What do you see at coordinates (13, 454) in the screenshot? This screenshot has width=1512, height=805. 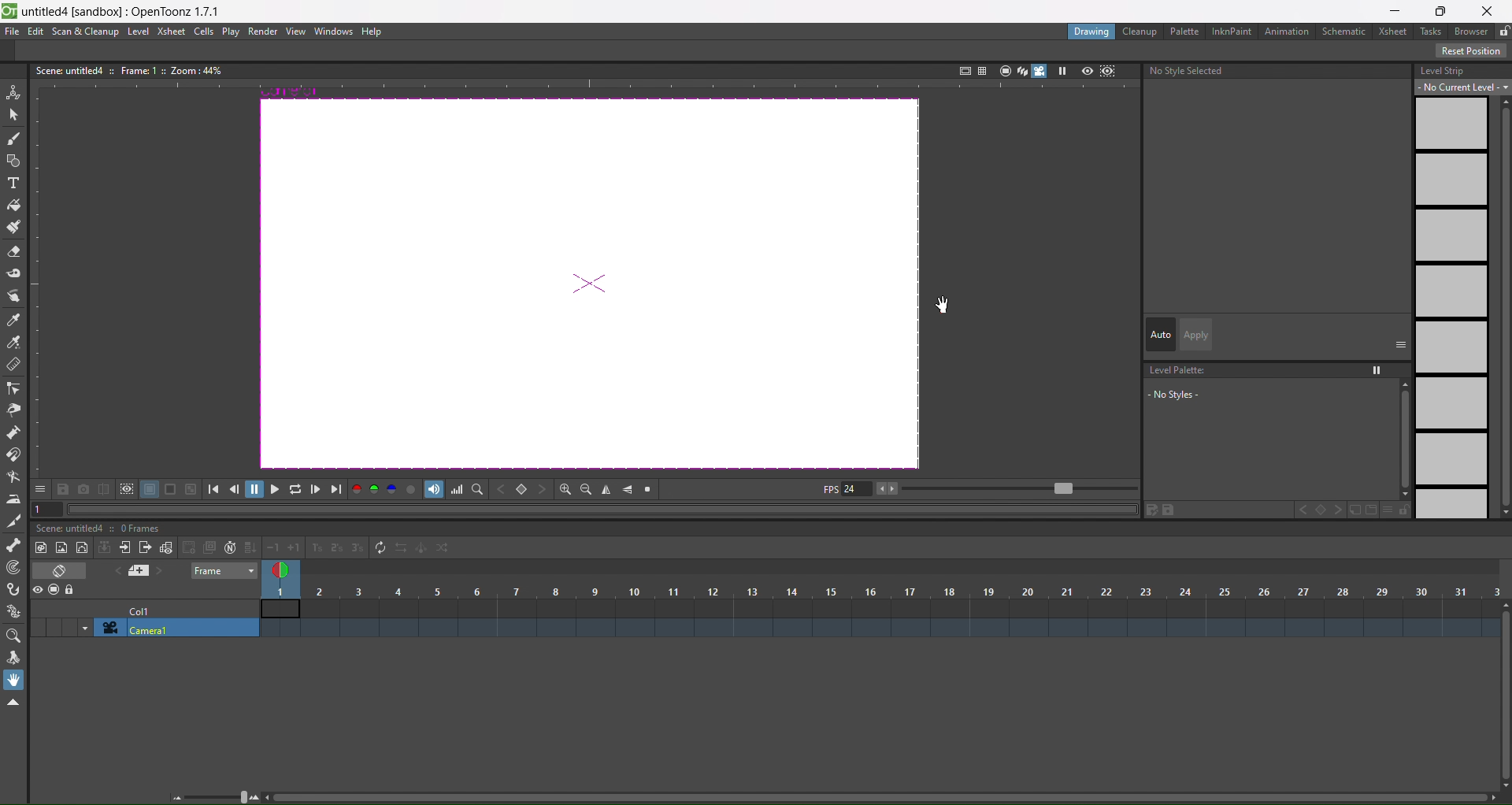 I see `magnet tool` at bounding box center [13, 454].